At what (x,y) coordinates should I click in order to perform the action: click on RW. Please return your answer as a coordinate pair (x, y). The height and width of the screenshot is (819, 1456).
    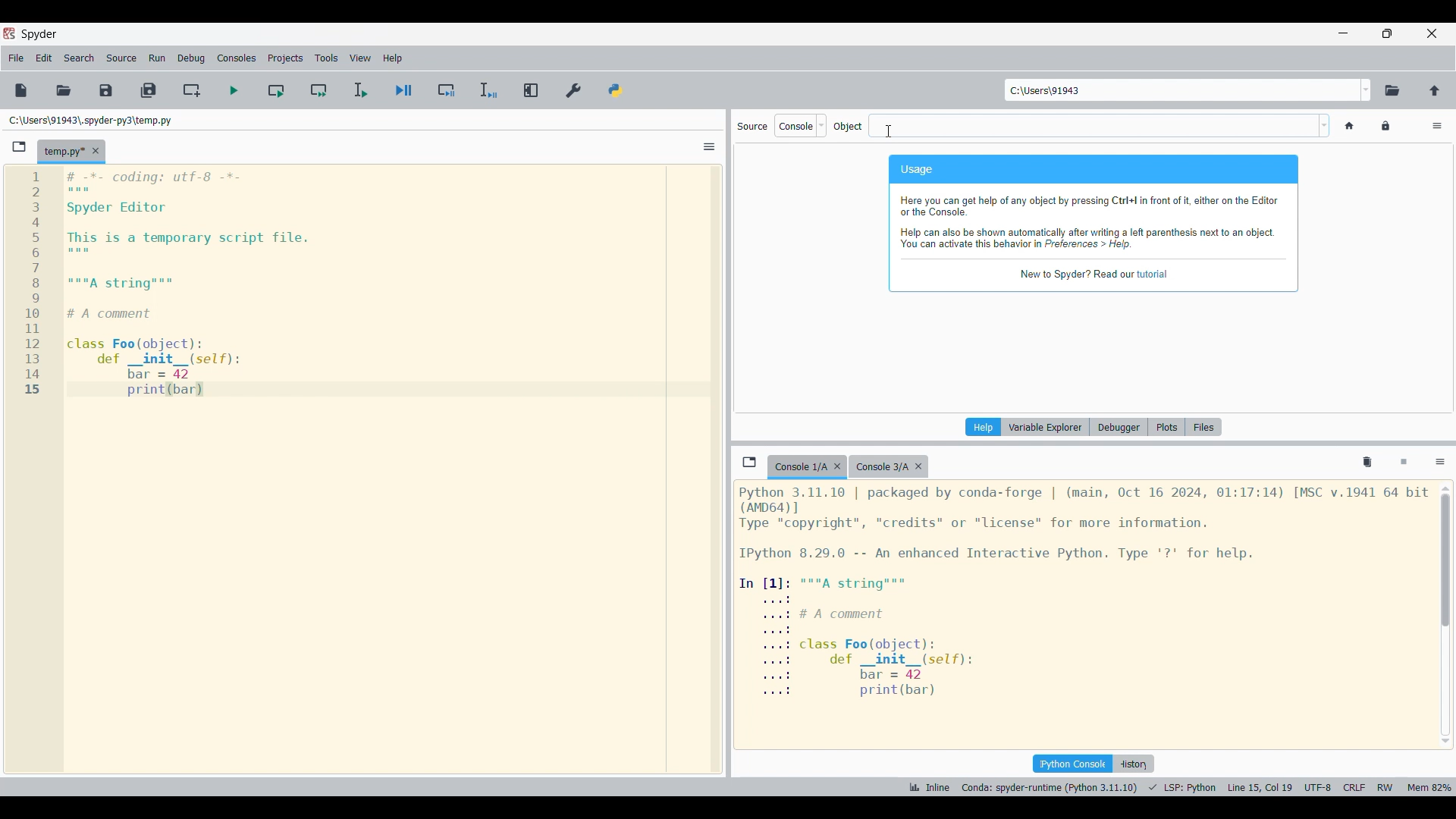
    Looking at the image, I should click on (1386, 786).